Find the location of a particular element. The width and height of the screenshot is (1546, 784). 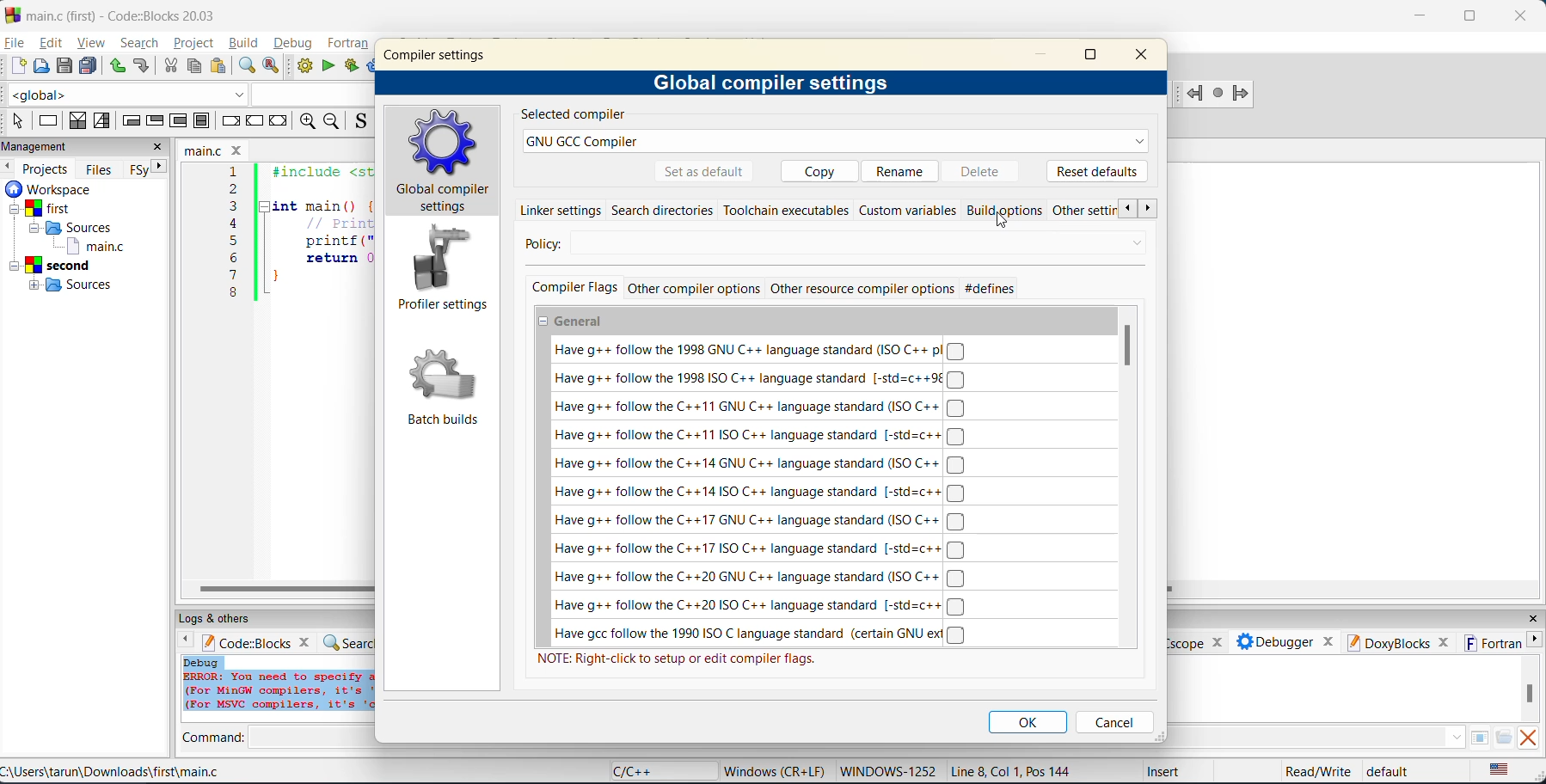

maximize is located at coordinates (1092, 58).